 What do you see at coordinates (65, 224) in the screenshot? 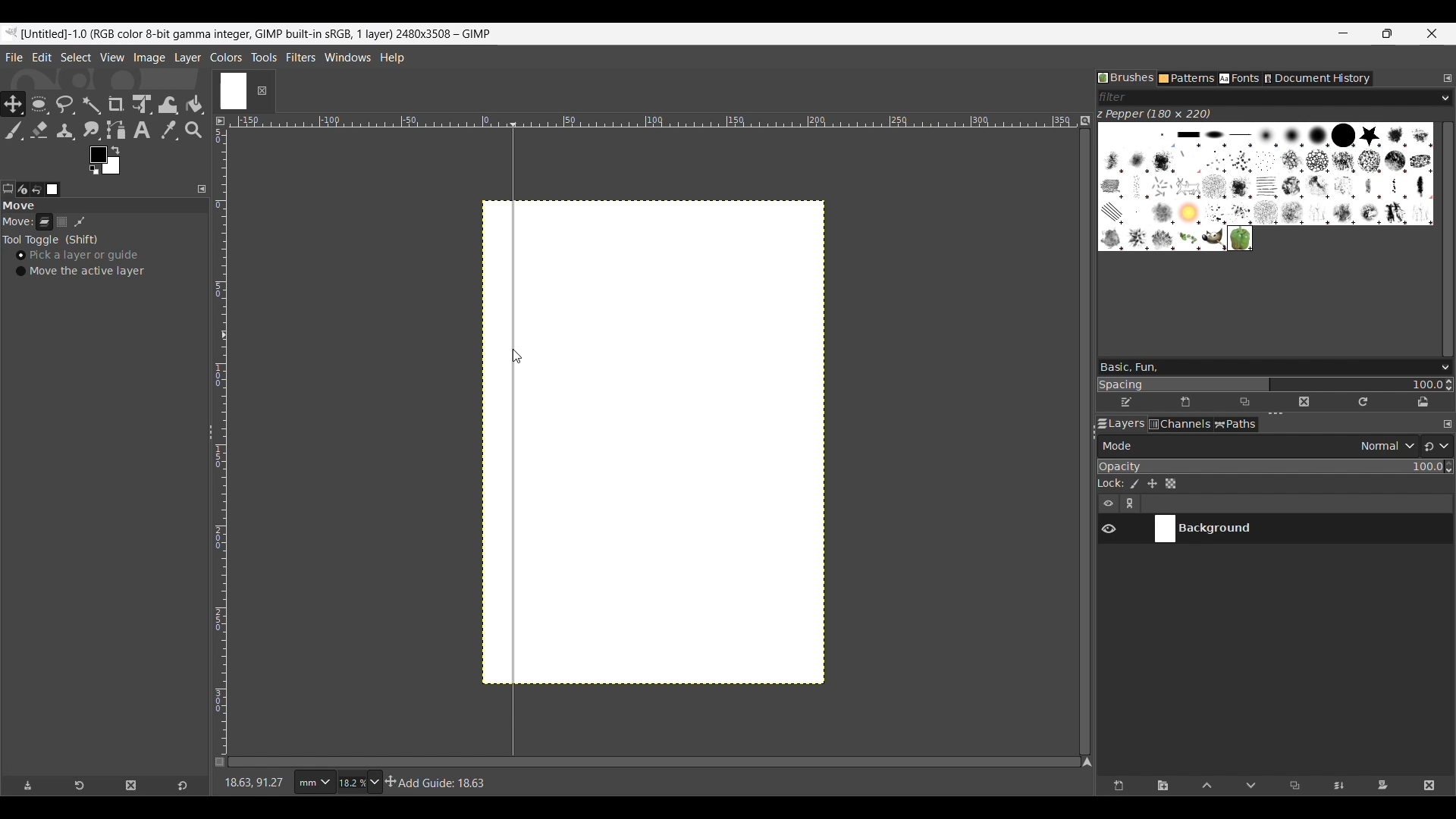
I see `Selection` at bounding box center [65, 224].